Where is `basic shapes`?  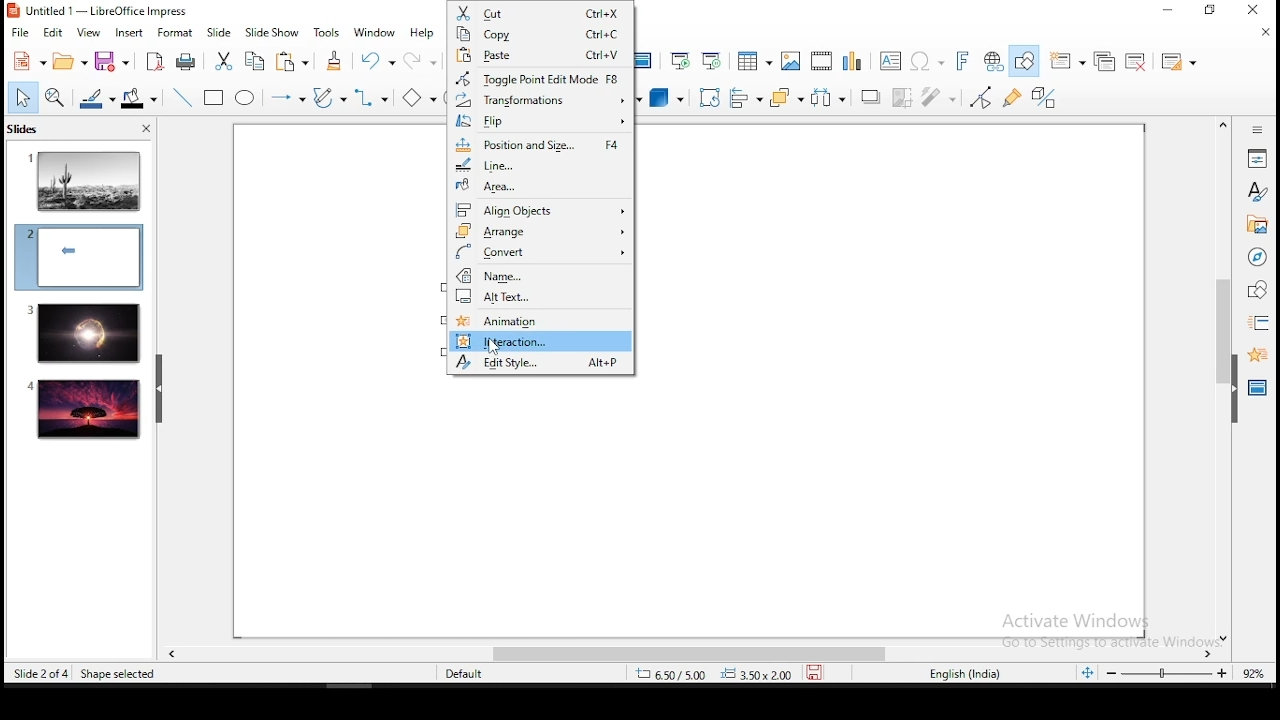 basic shapes is located at coordinates (415, 94).